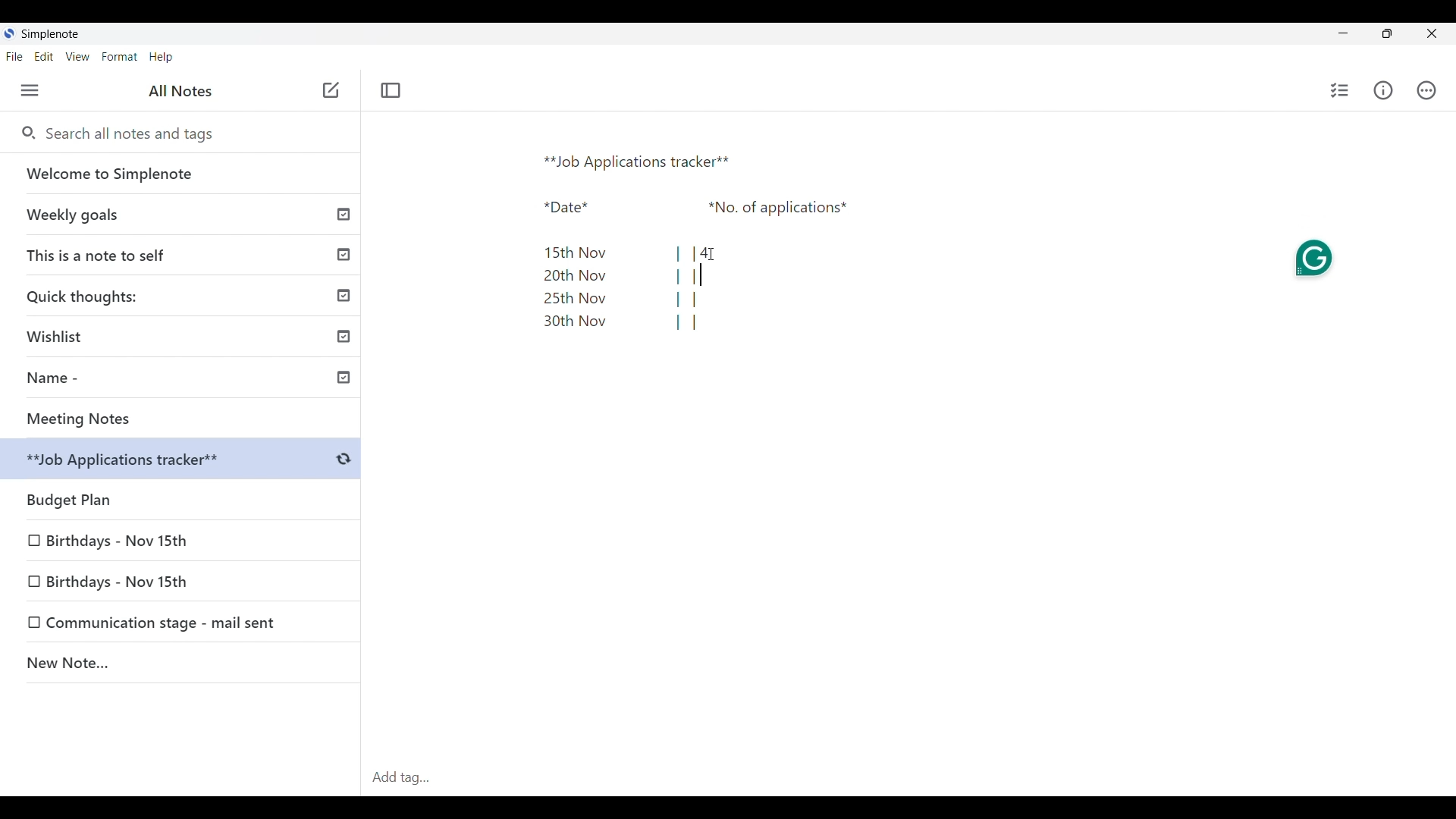 The height and width of the screenshot is (819, 1456). What do you see at coordinates (713, 251) in the screenshot?
I see `Cursor` at bounding box center [713, 251].